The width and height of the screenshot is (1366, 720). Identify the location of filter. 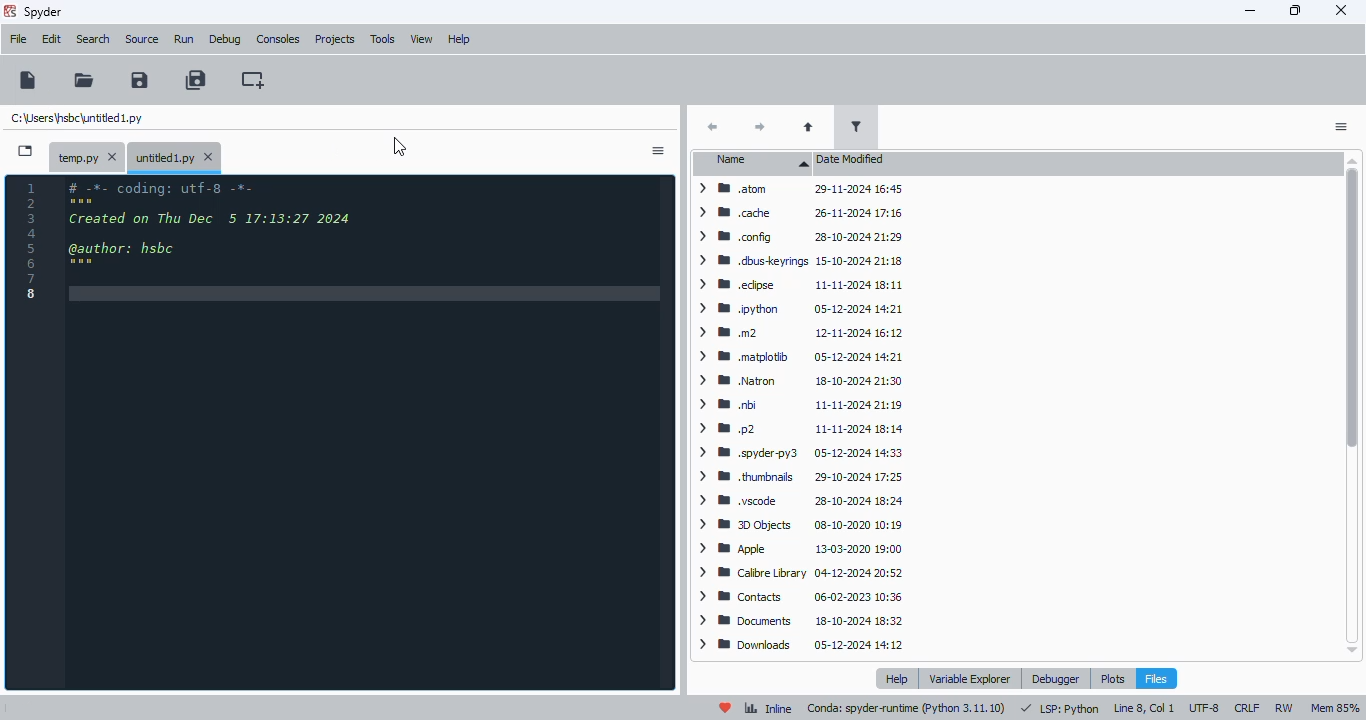
(855, 127).